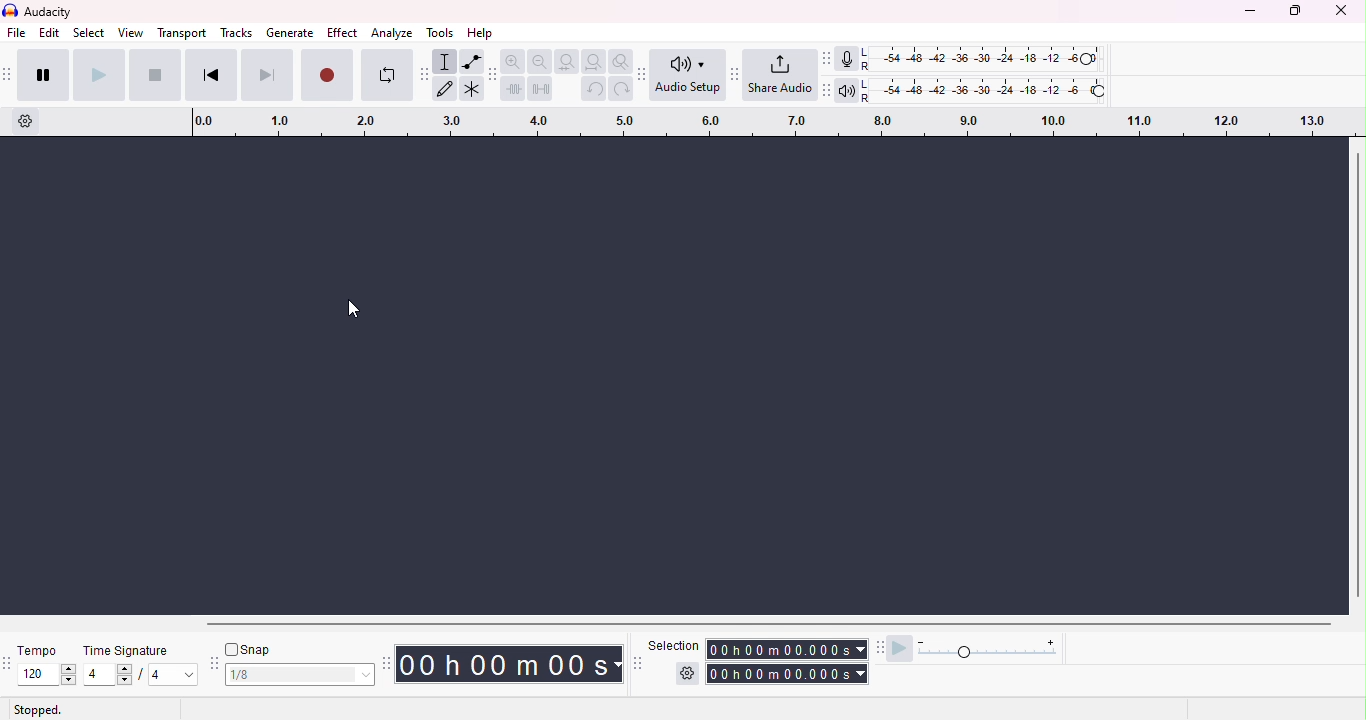 The image size is (1366, 720). I want to click on tracks, so click(234, 32).